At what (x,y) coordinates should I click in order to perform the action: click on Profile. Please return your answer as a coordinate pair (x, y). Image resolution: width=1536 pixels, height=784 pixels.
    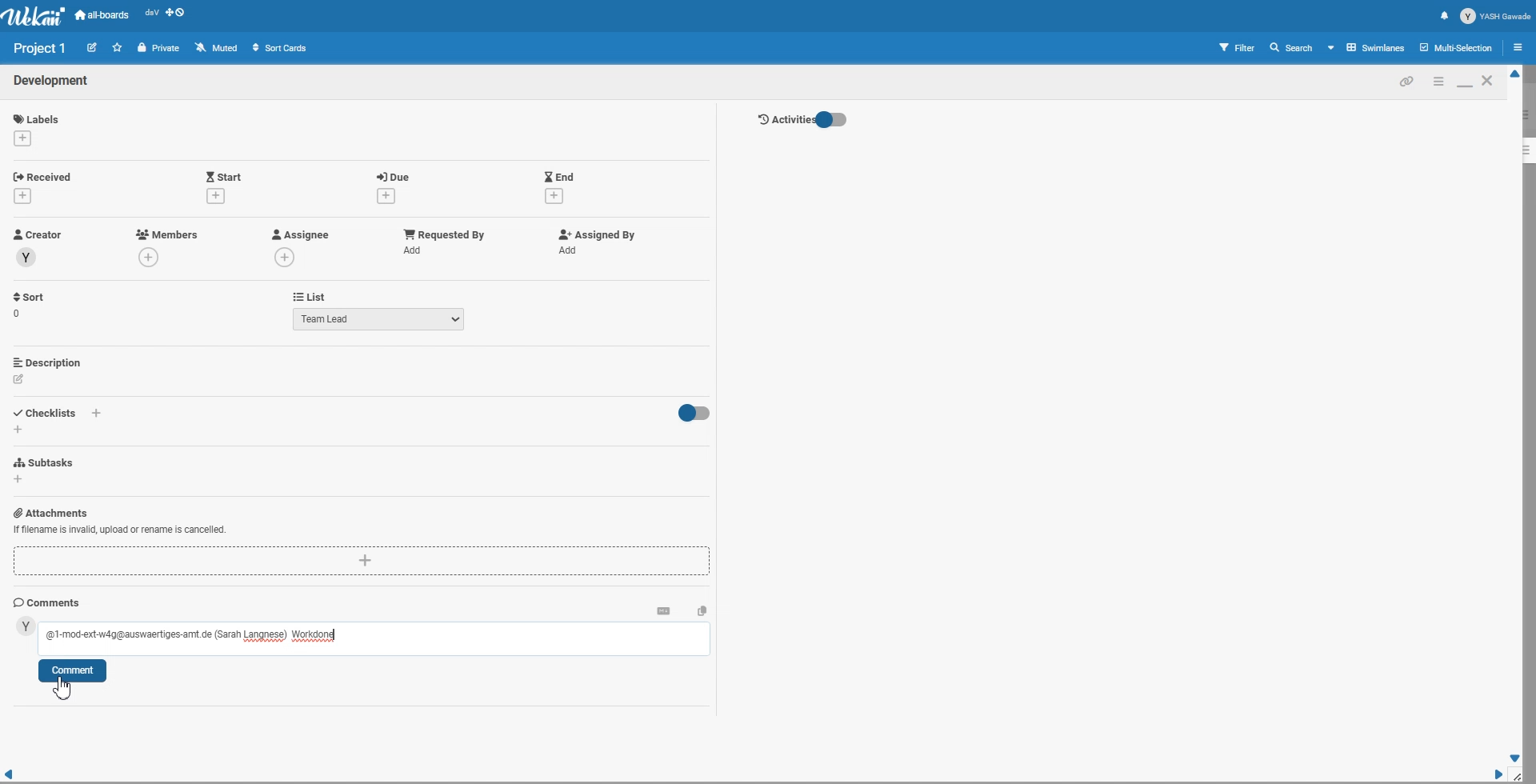
    Looking at the image, I should click on (1496, 16).